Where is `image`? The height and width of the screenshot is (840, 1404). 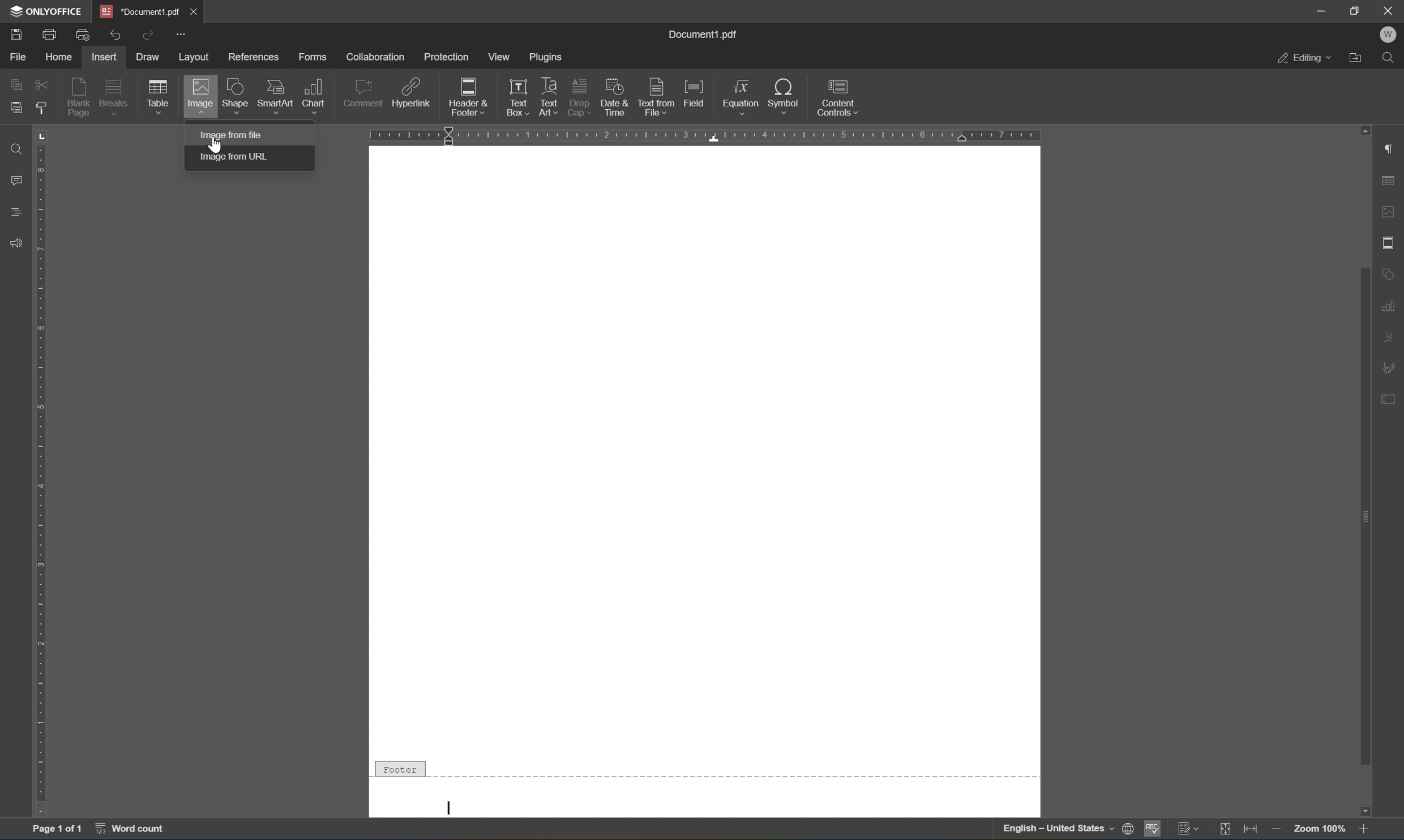 image is located at coordinates (197, 97).